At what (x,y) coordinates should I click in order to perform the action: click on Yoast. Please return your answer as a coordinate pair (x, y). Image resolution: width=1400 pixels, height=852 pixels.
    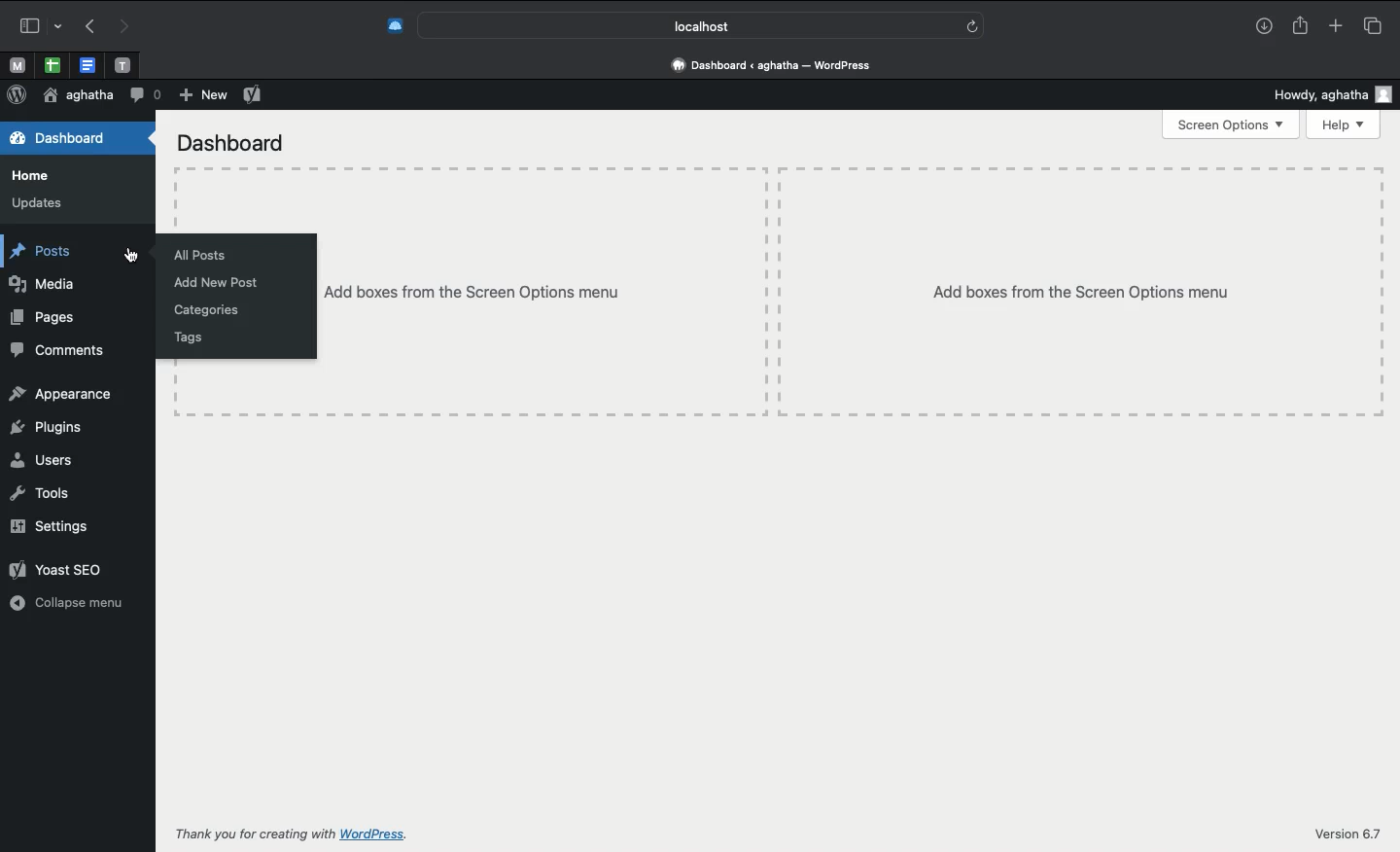
    Looking at the image, I should click on (63, 568).